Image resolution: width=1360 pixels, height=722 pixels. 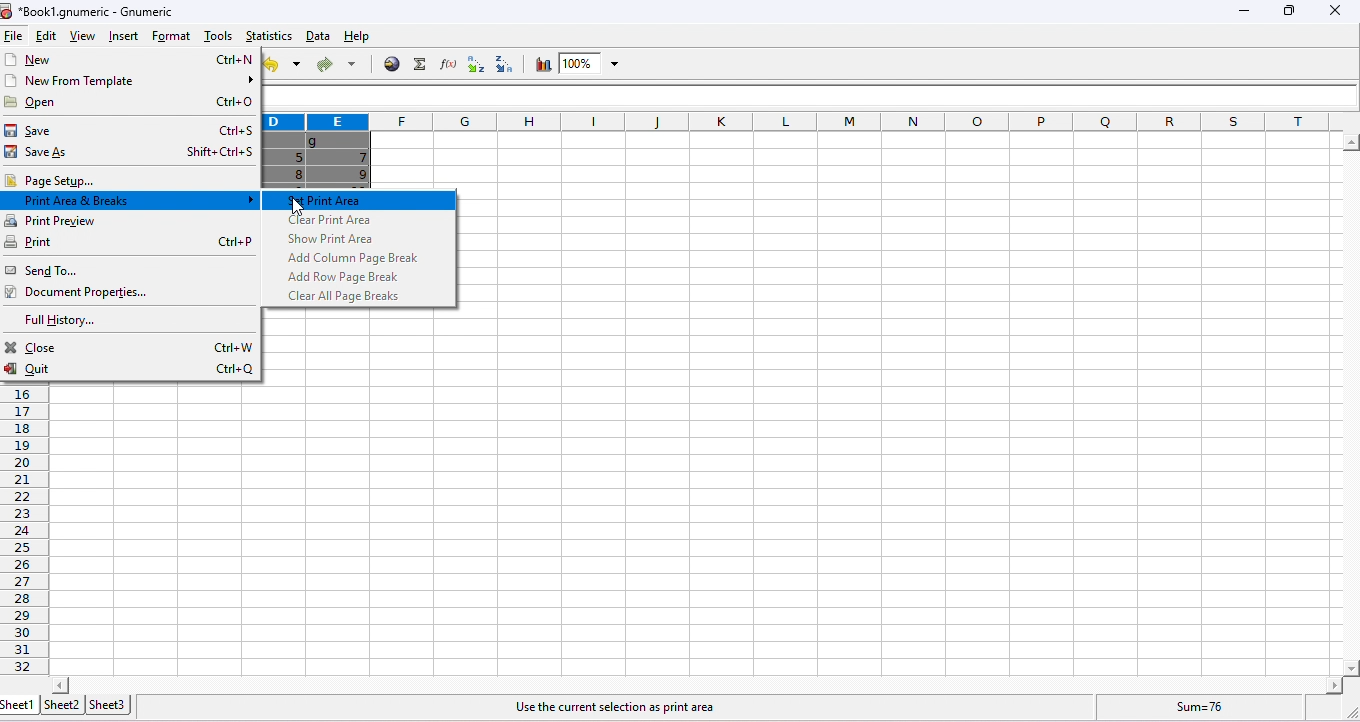 I want to click on page set up and breaks, so click(x=129, y=201).